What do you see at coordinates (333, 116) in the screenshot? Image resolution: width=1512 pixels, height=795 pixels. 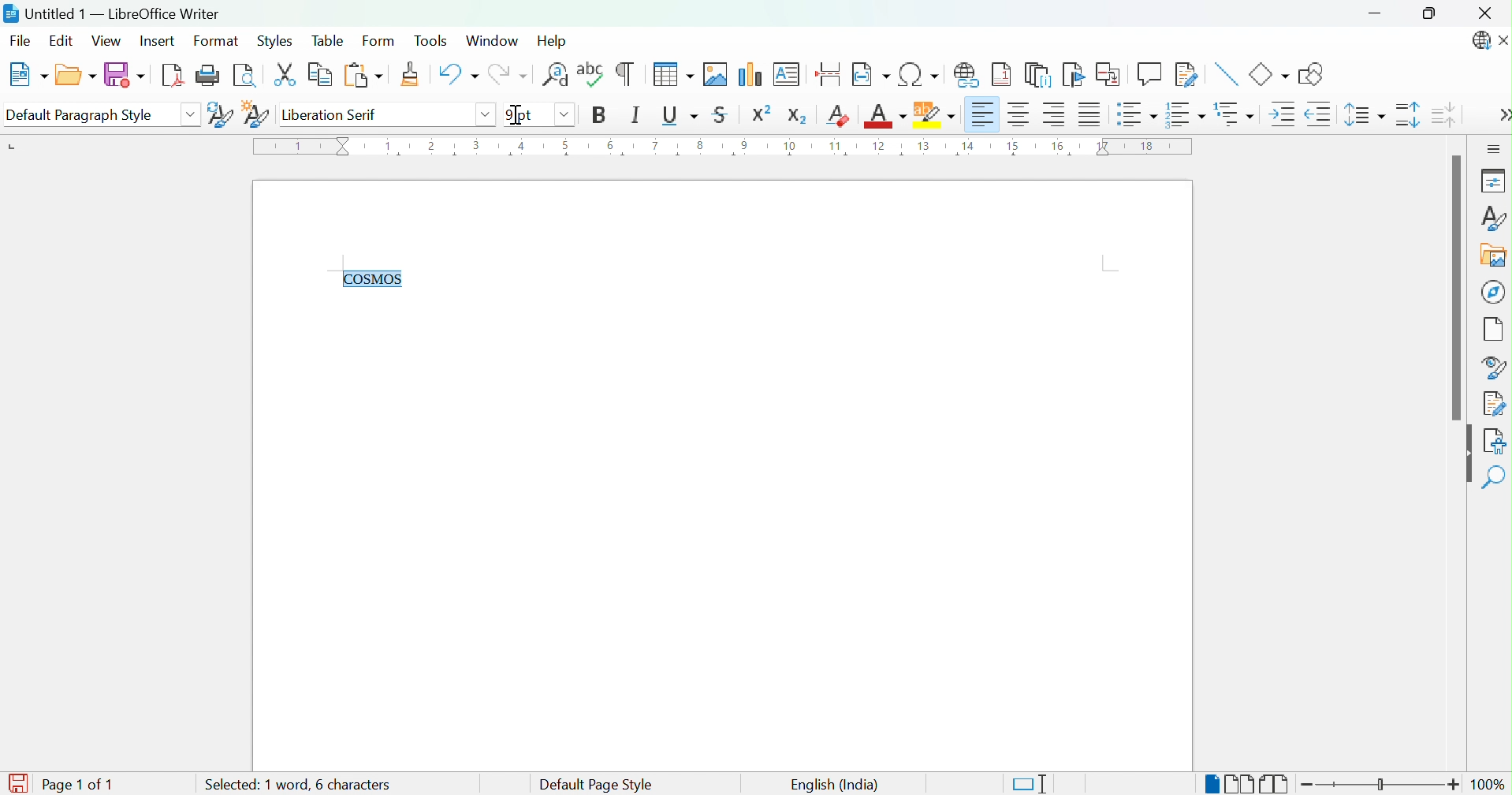 I see `Liberation serif` at bounding box center [333, 116].